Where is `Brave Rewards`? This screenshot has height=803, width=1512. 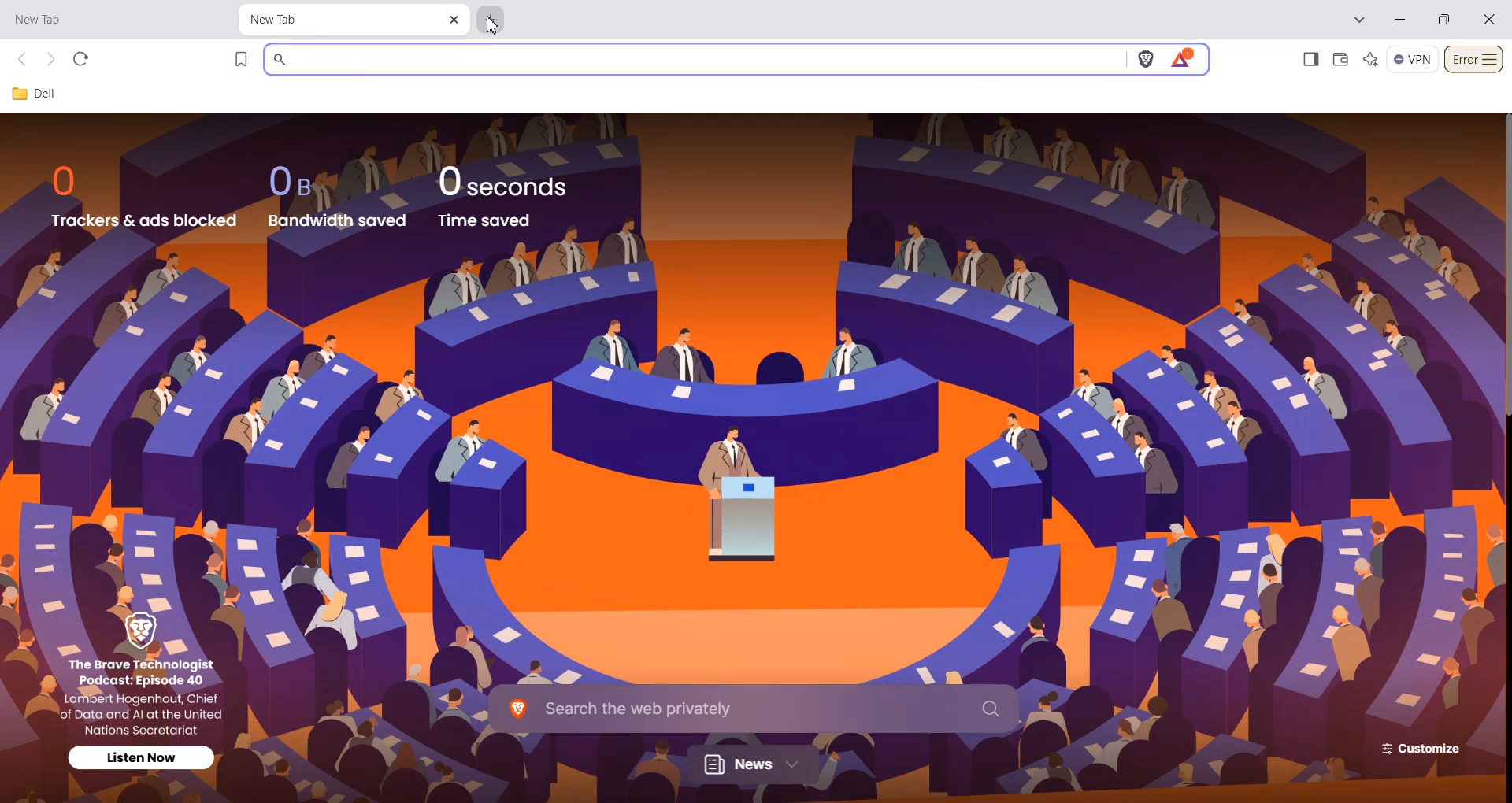 Brave Rewards is located at coordinates (1182, 59).